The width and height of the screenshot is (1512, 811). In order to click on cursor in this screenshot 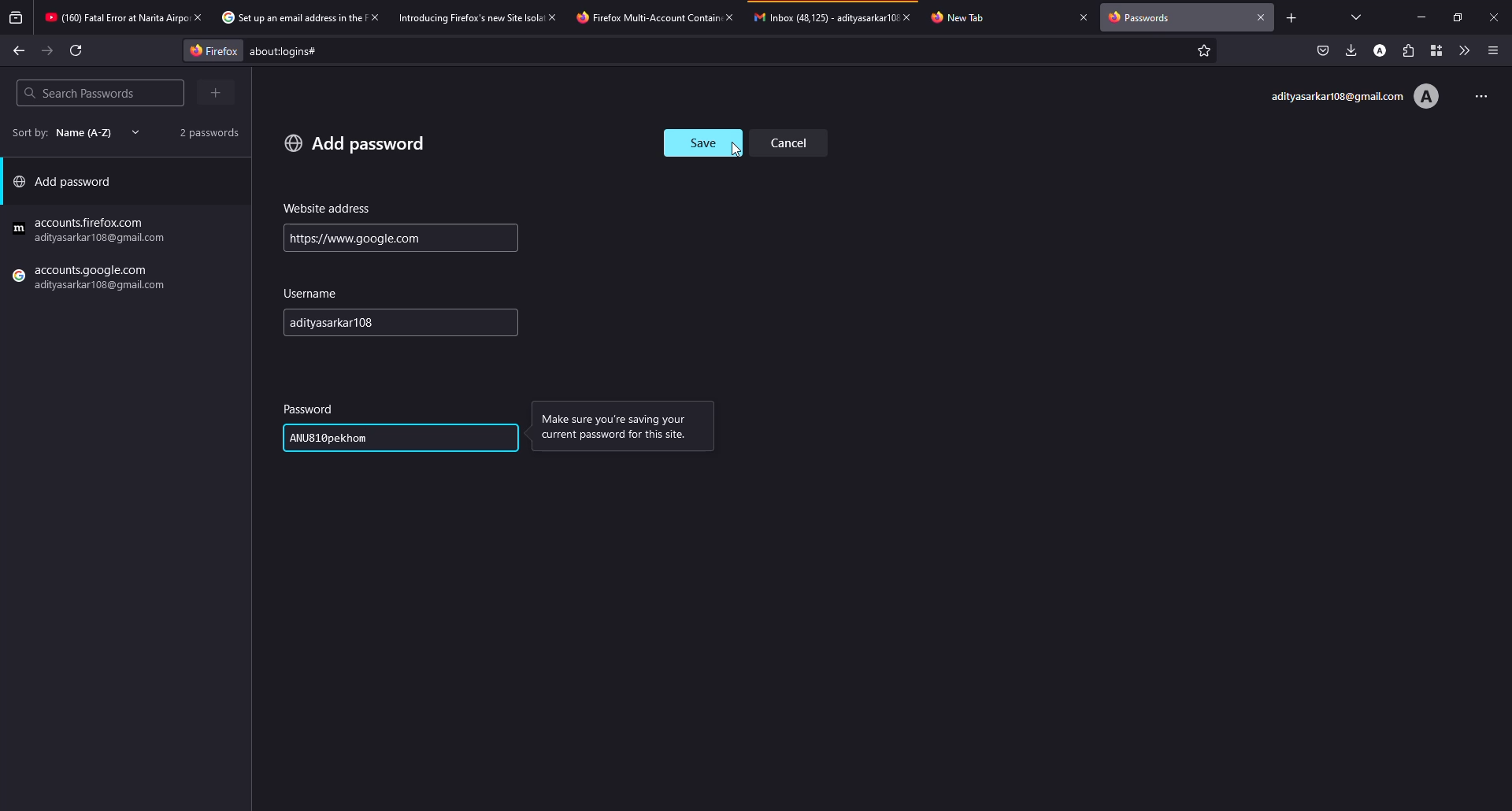, I will do `click(736, 148)`.